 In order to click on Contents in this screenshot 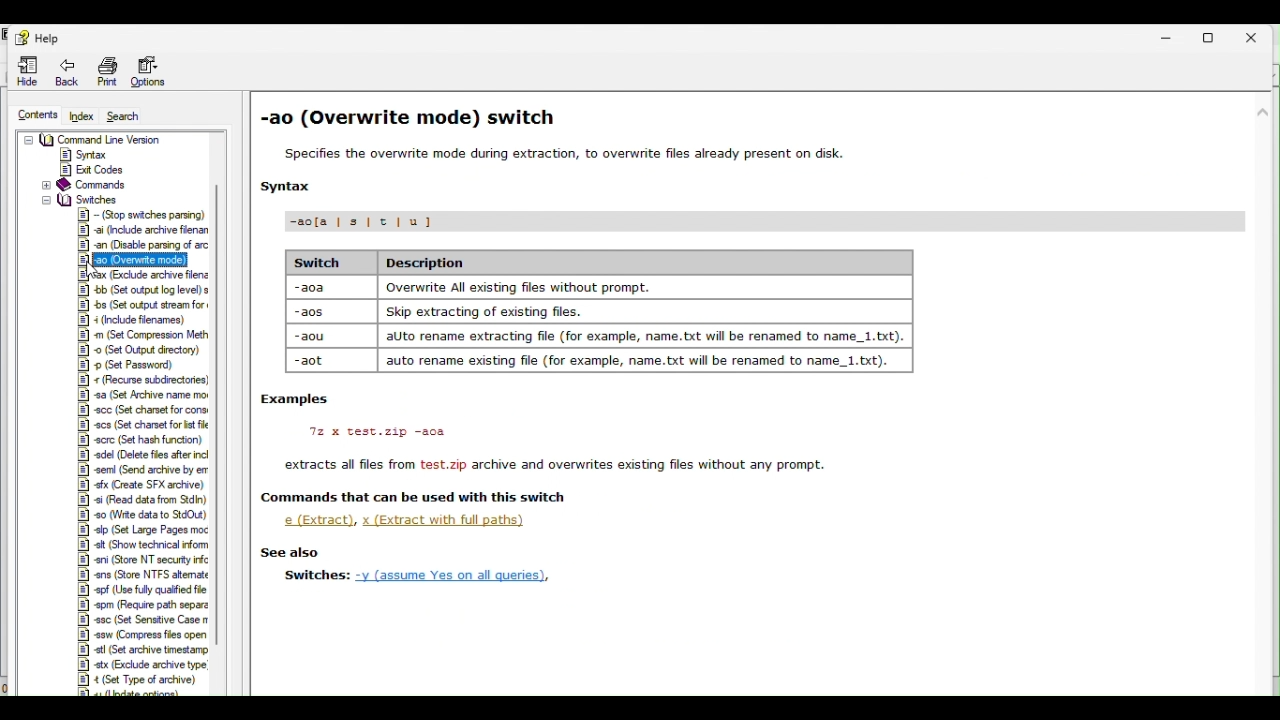, I will do `click(36, 116)`.